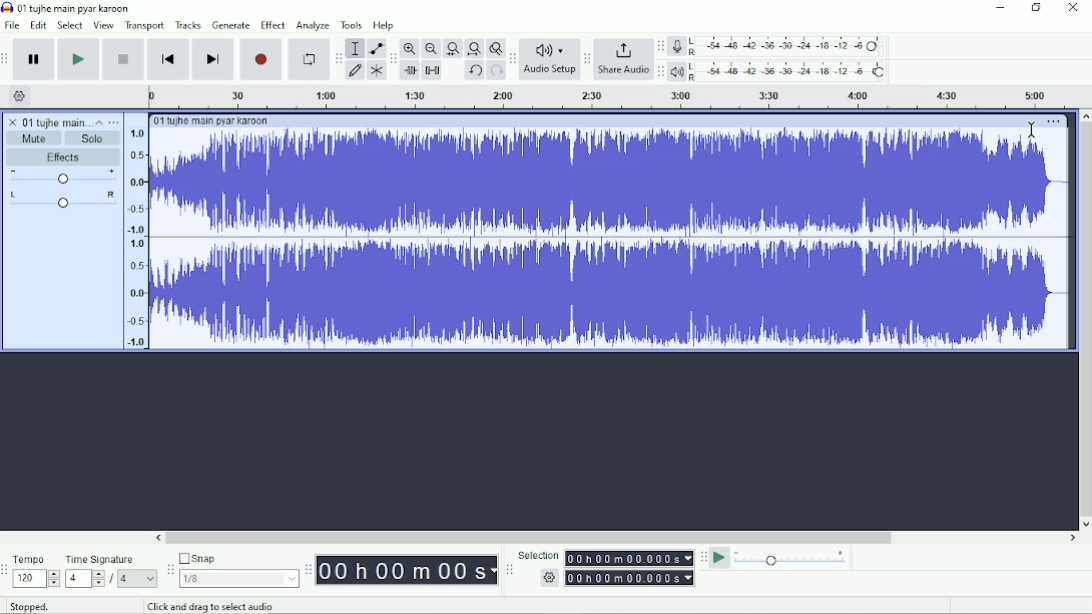 The image size is (1092, 614). Describe the element at coordinates (34, 139) in the screenshot. I see `Mute` at that location.